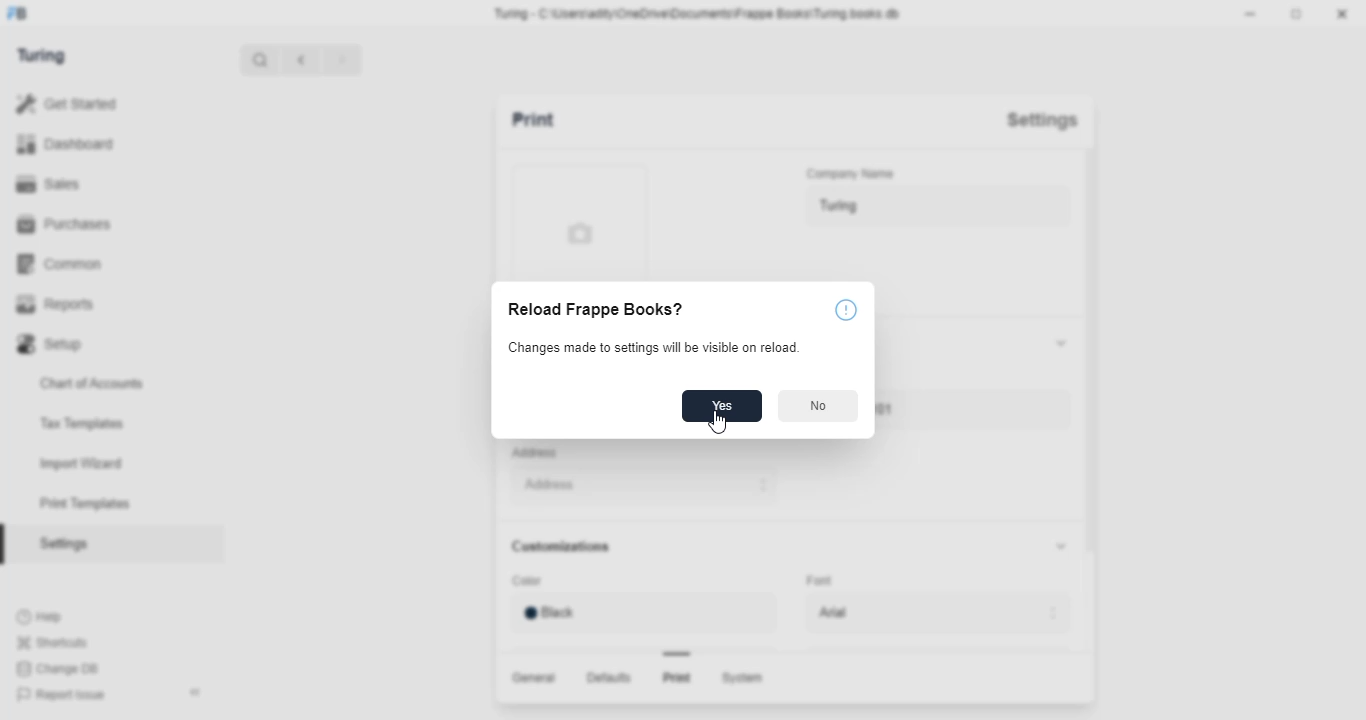 Image resolution: width=1366 pixels, height=720 pixels. I want to click on Get Started, so click(91, 102).